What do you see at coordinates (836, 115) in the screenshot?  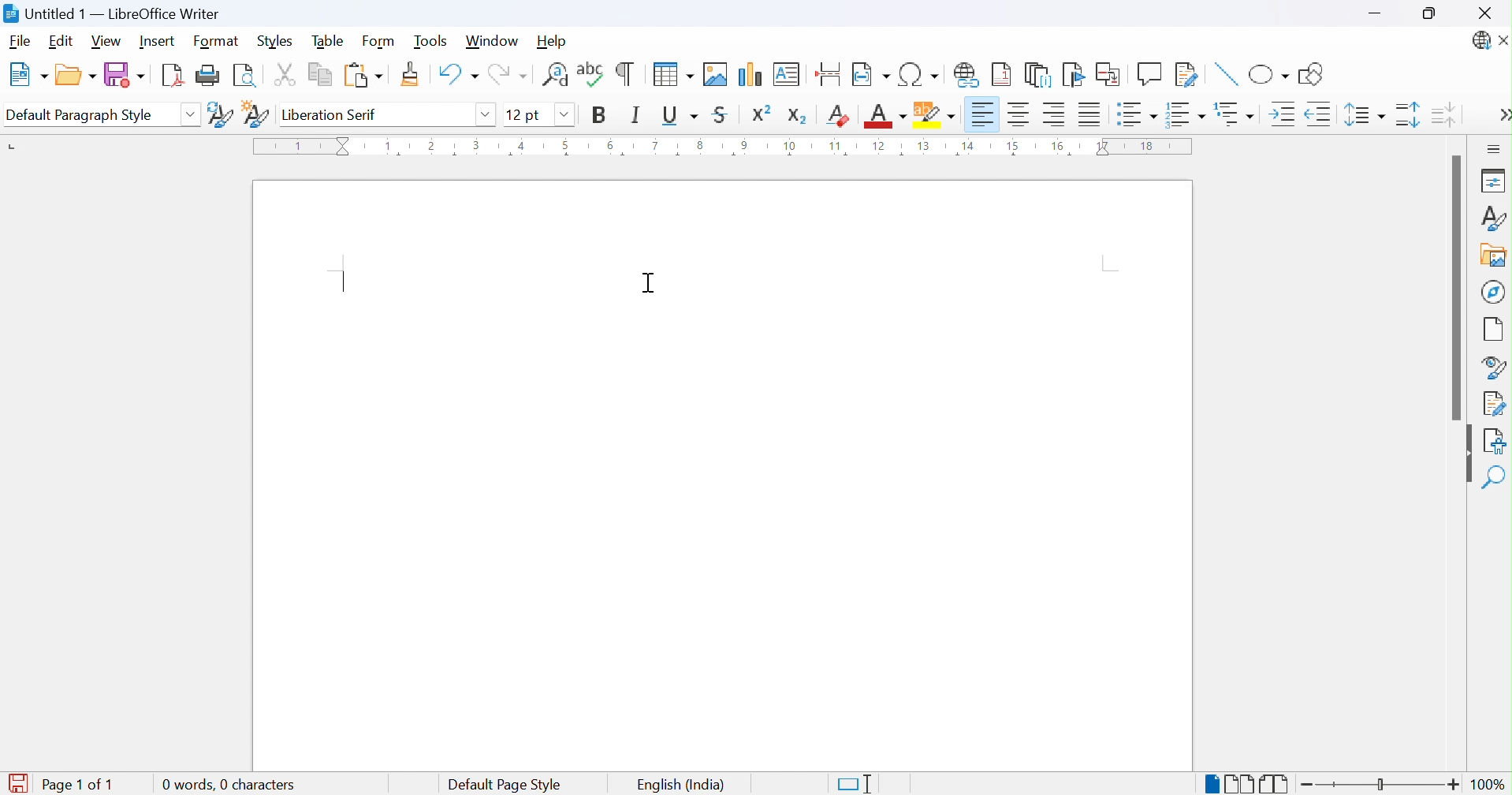 I see `Clear direct formatting` at bounding box center [836, 115].